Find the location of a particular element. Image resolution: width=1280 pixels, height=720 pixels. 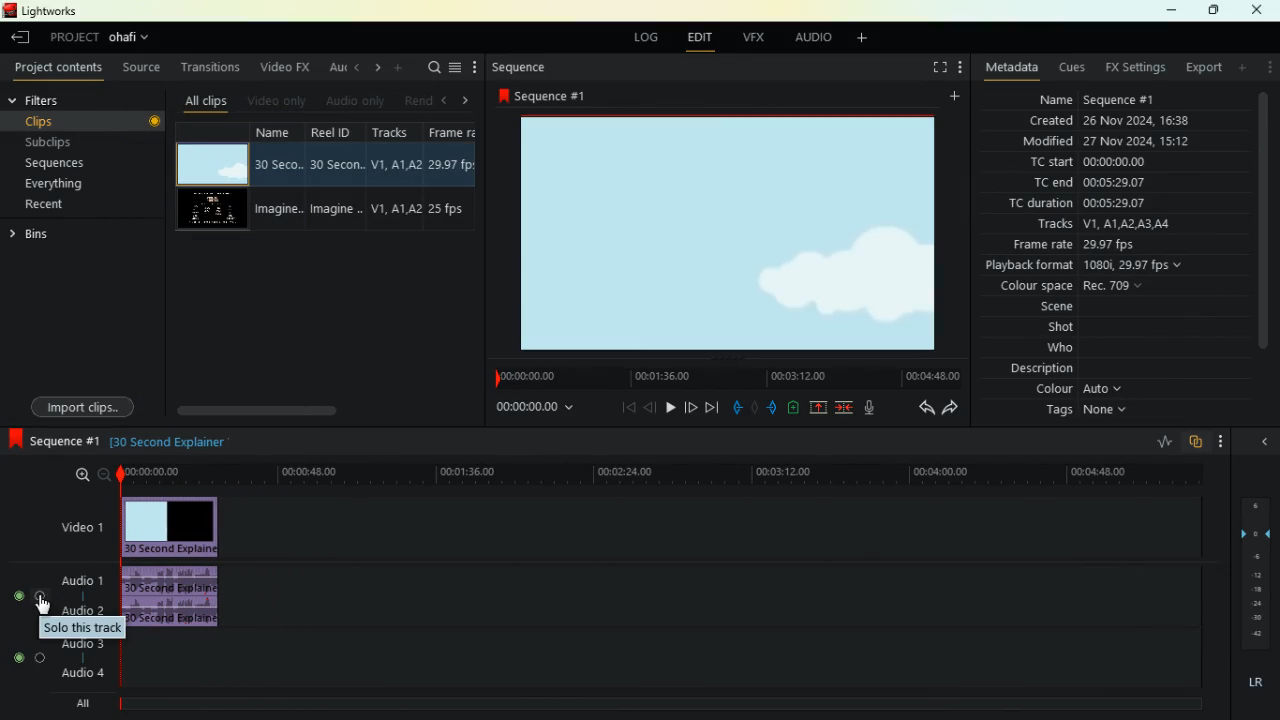

vfx is located at coordinates (755, 38).